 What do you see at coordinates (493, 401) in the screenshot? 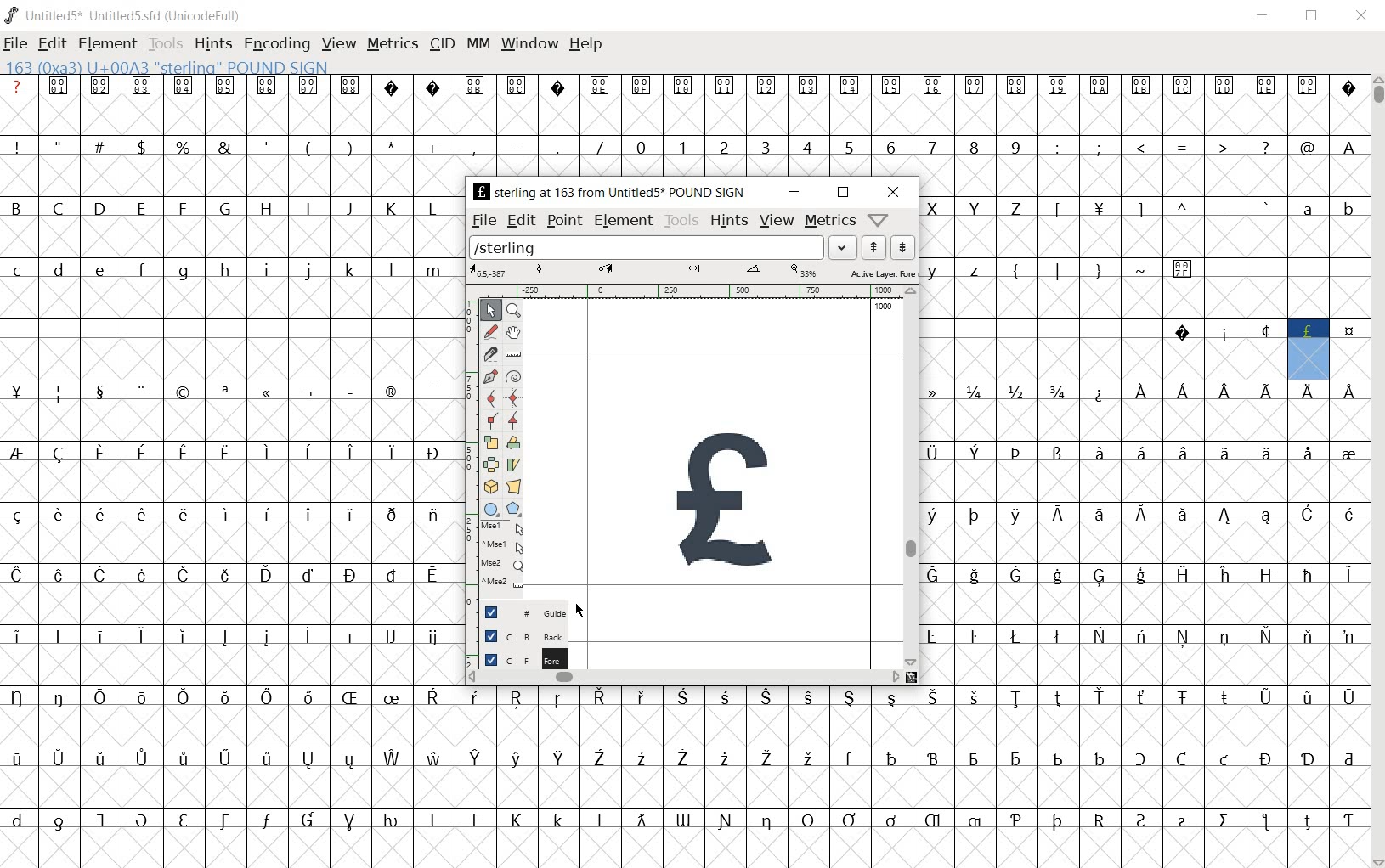
I see `curve` at bounding box center [493, 401].